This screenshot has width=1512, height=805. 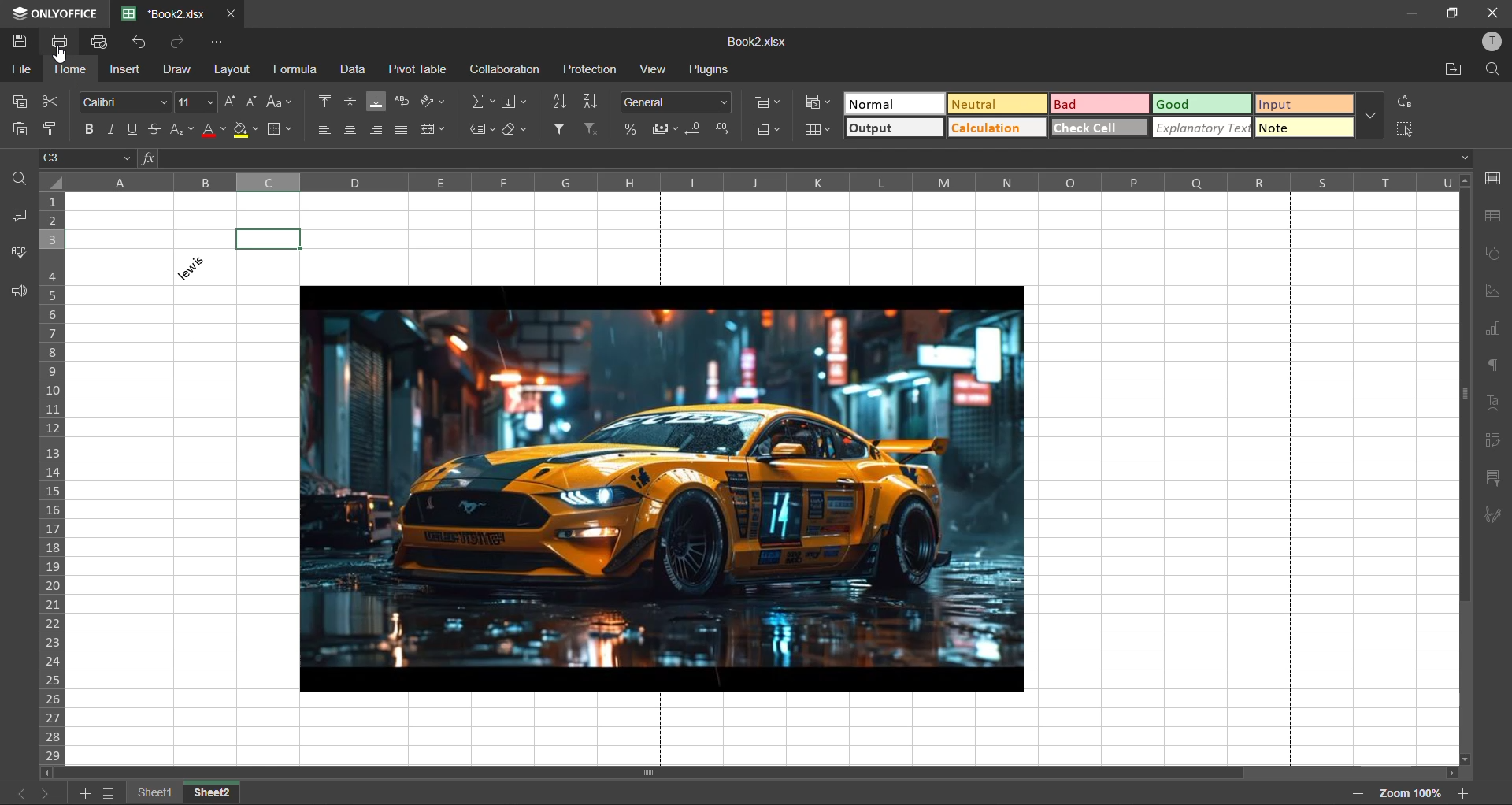 I want to click on cell settings, so click(x=1493, y=178).